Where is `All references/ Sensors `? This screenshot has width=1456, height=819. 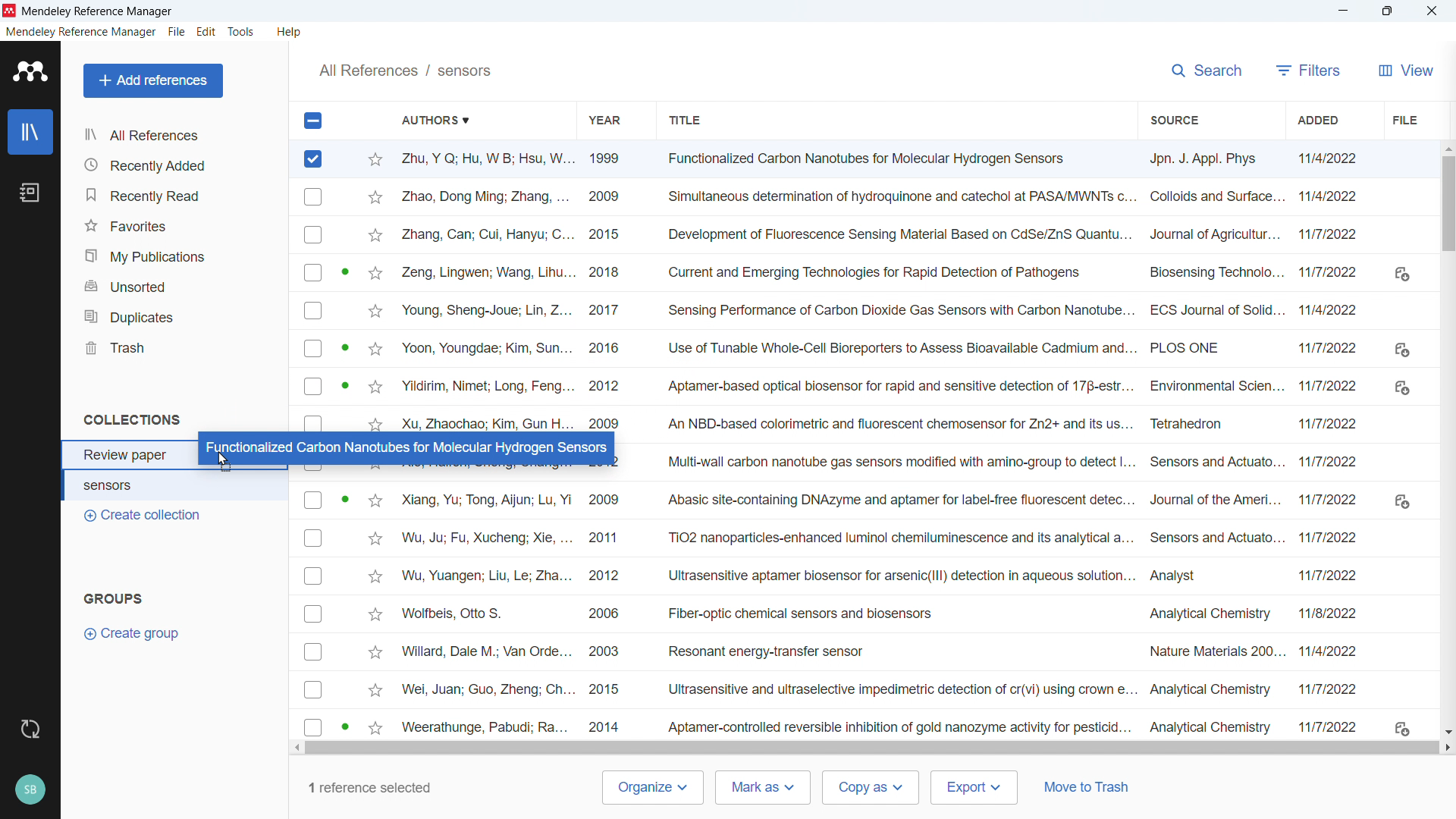 All references/ Sensors  is located at coordinates (405, 70).